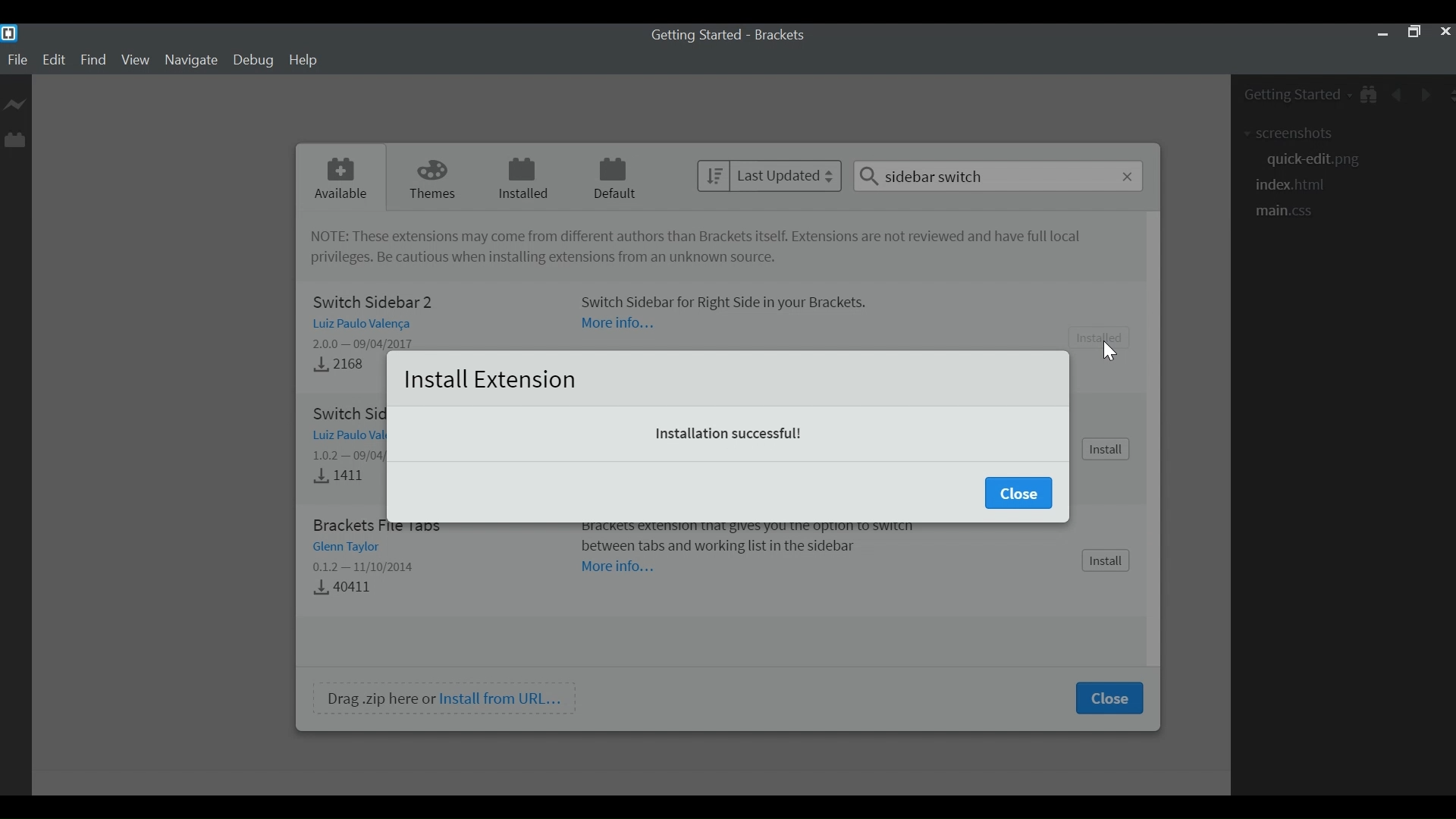 This screenshot has height=819, width=1456. What do you see at coordinates (730, 434) in the screenshot?
I see `Installation successfull` at bounding box center [730, 434].